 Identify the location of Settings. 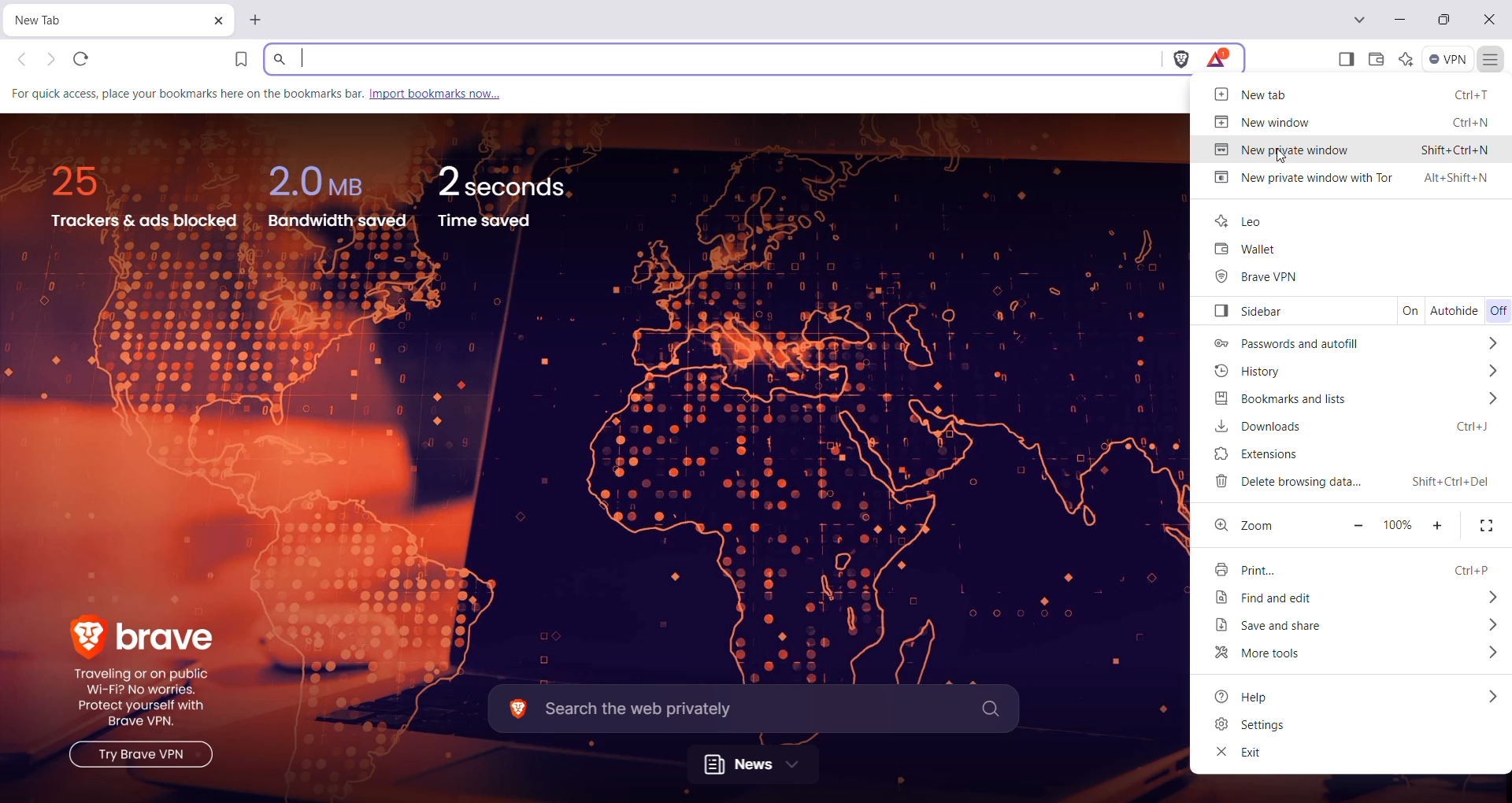
(1251, 726).